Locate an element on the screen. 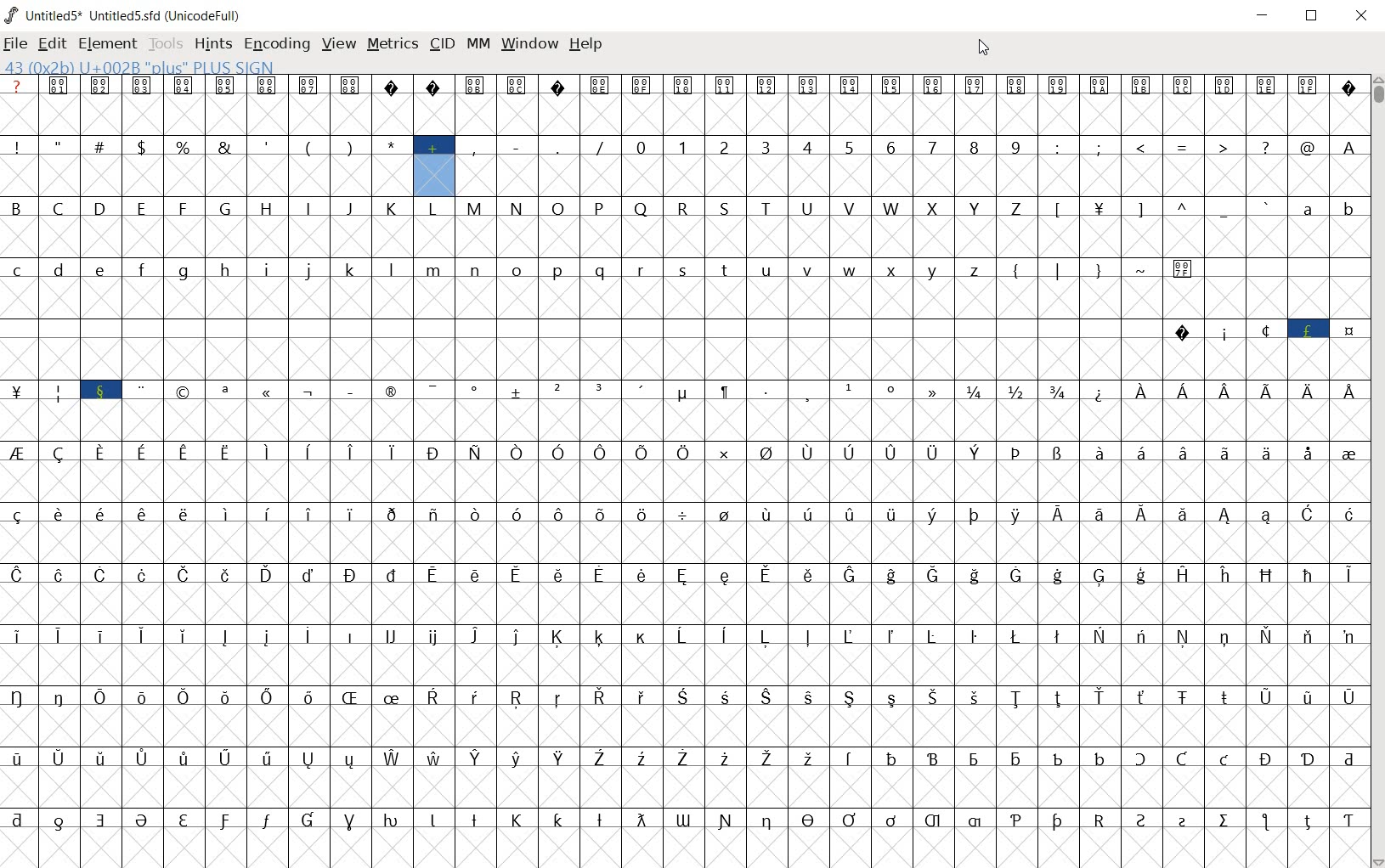 The height and width of the screenshot is (868, 1385). hints is located at coordinates (211, 43).